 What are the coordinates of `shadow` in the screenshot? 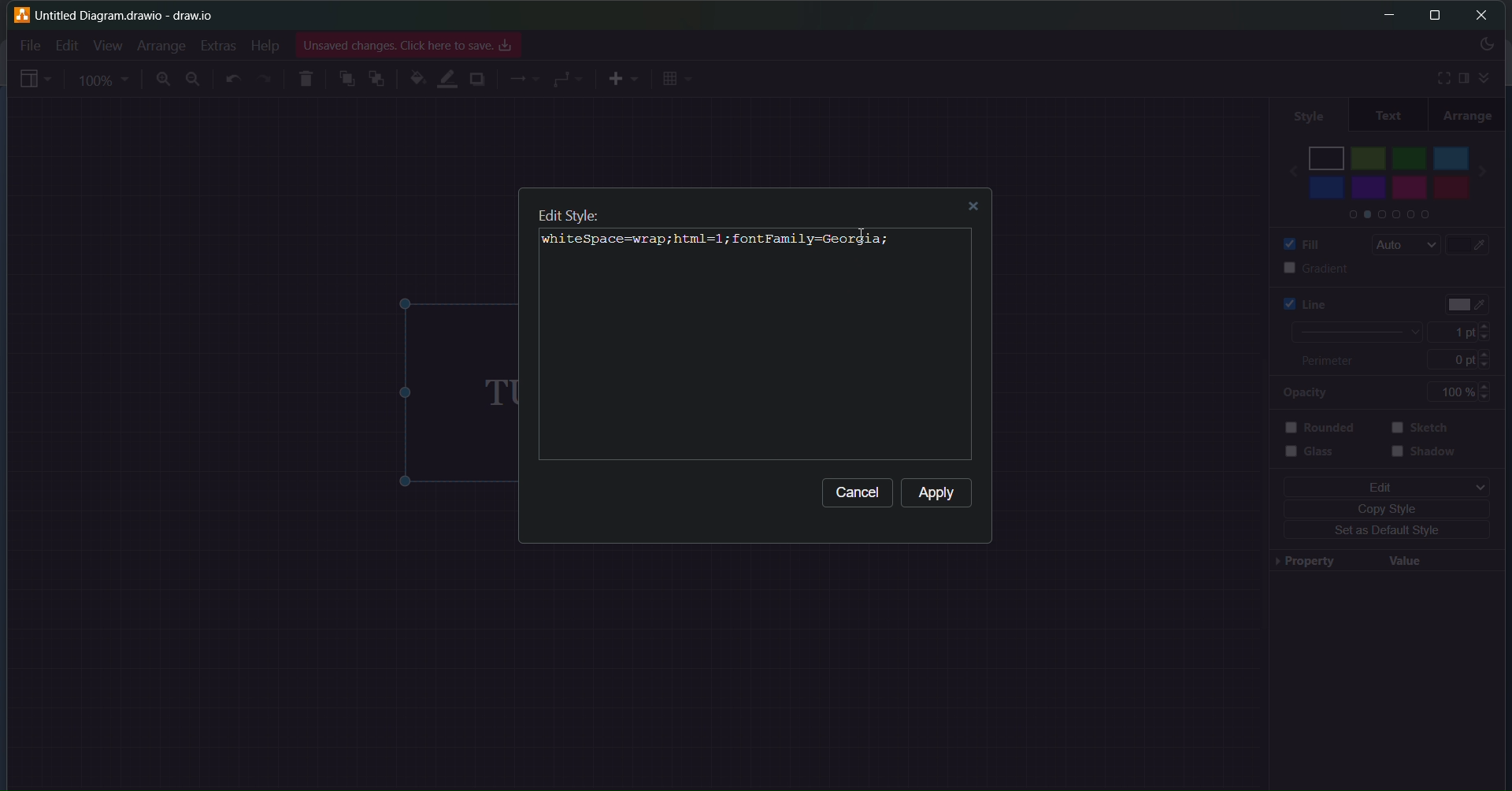 It's located at (1427, 458).